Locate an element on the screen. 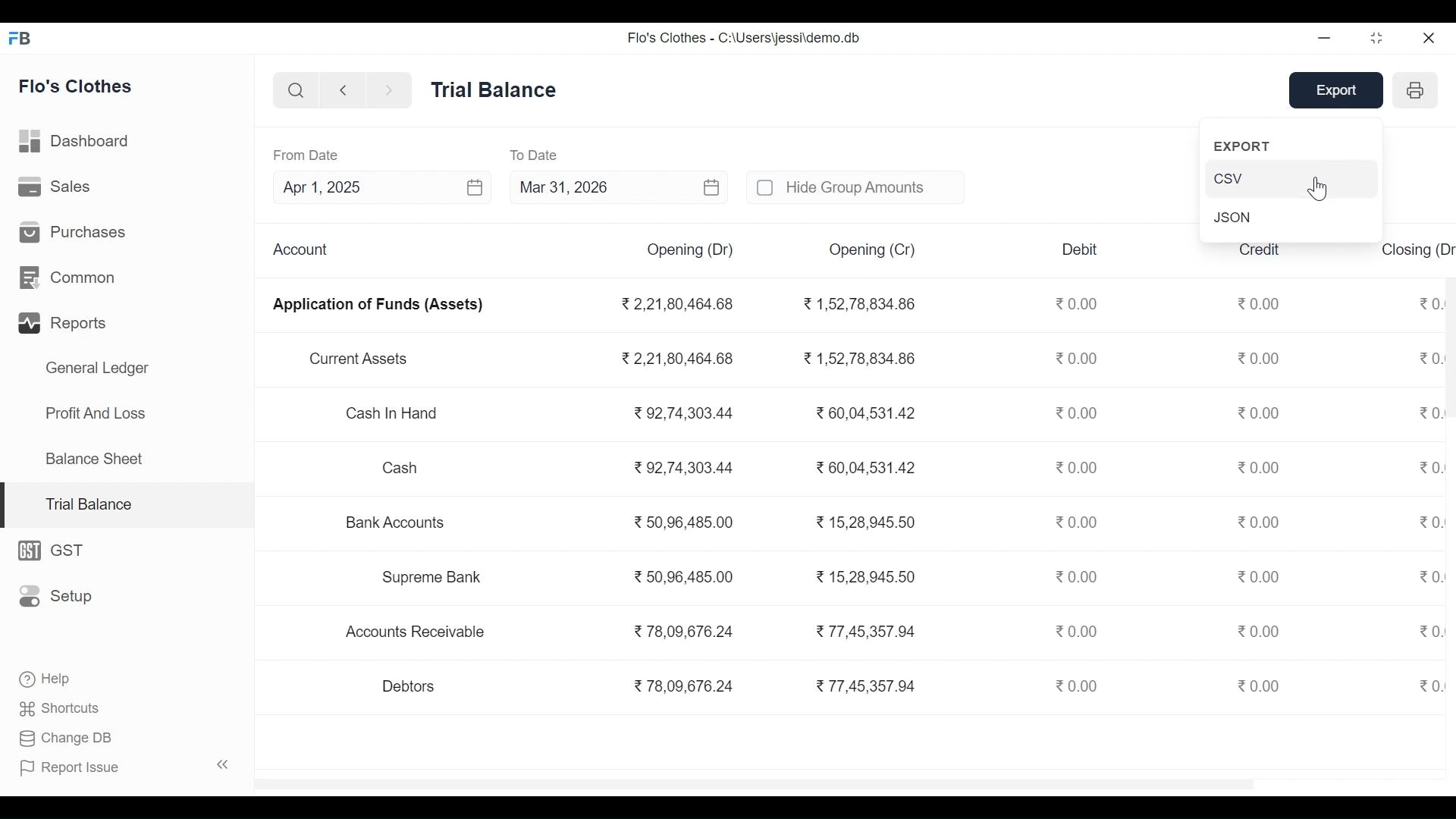  0.00 is located at coordinates (1429, 578).